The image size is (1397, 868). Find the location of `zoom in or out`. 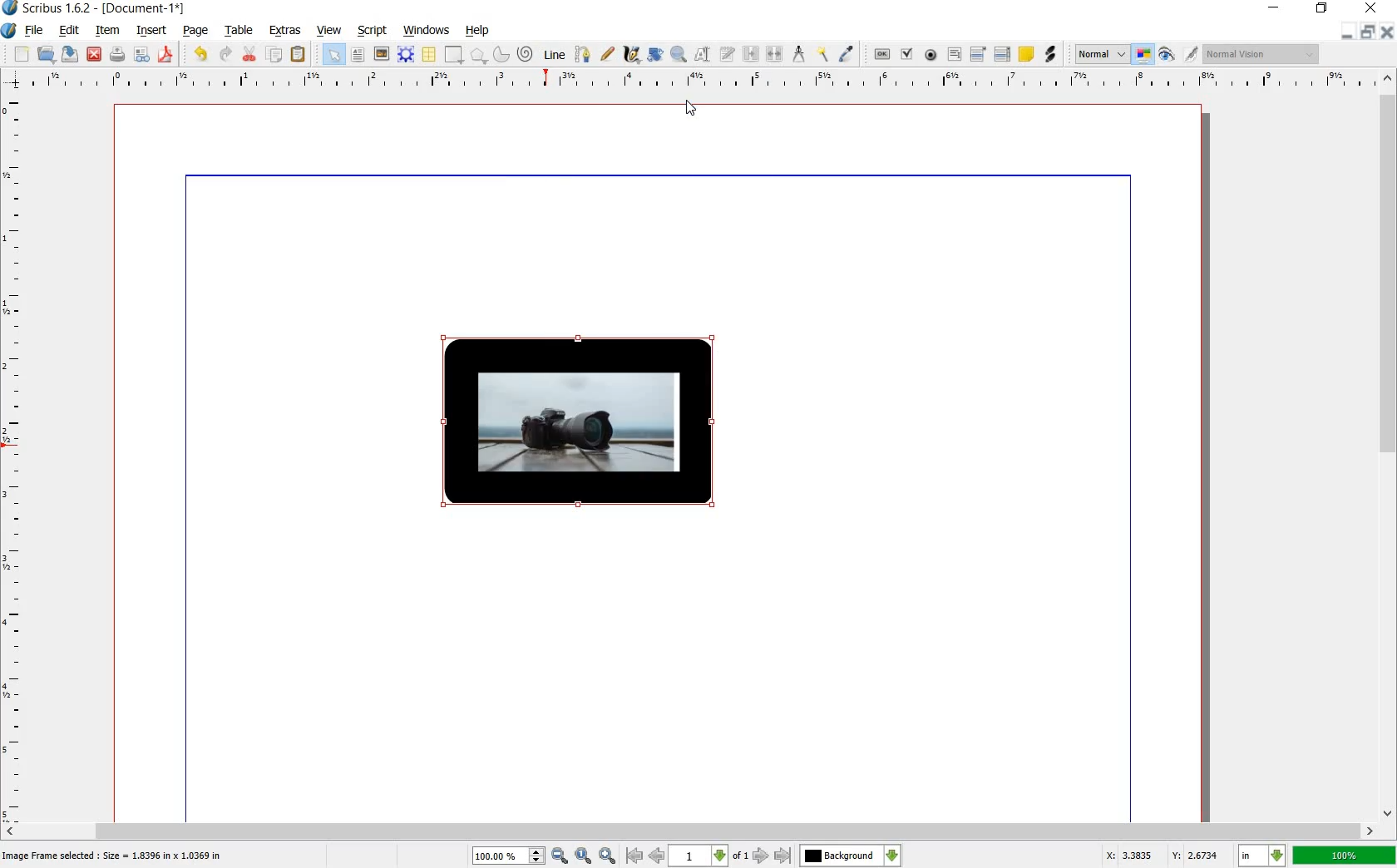

zoom in or out is located at coordinates (678, 52).